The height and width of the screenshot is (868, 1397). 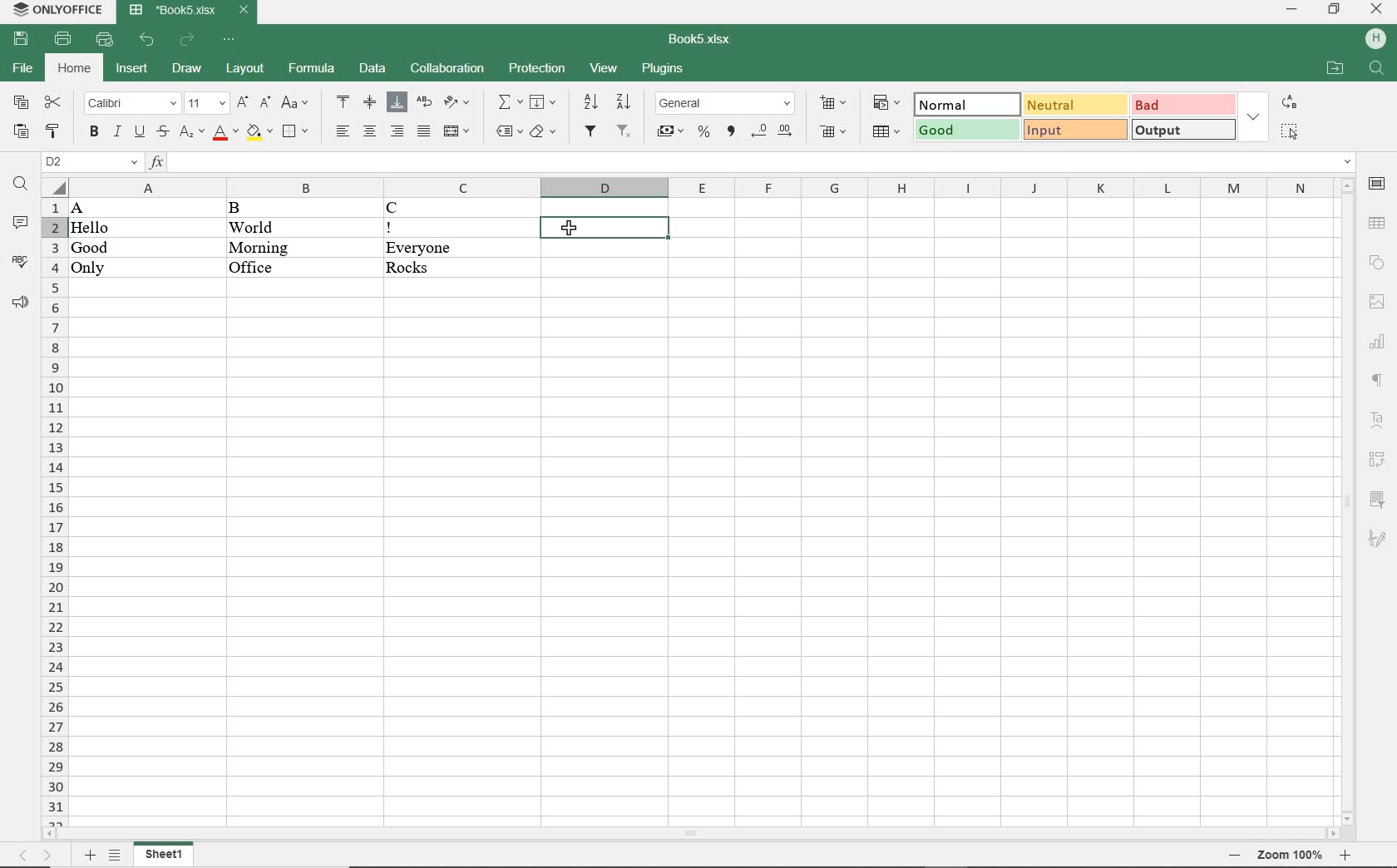 What do you see at coordinates (1375, 40) in the screenshot?
I see `HP` at bounding box center [1375, 40].